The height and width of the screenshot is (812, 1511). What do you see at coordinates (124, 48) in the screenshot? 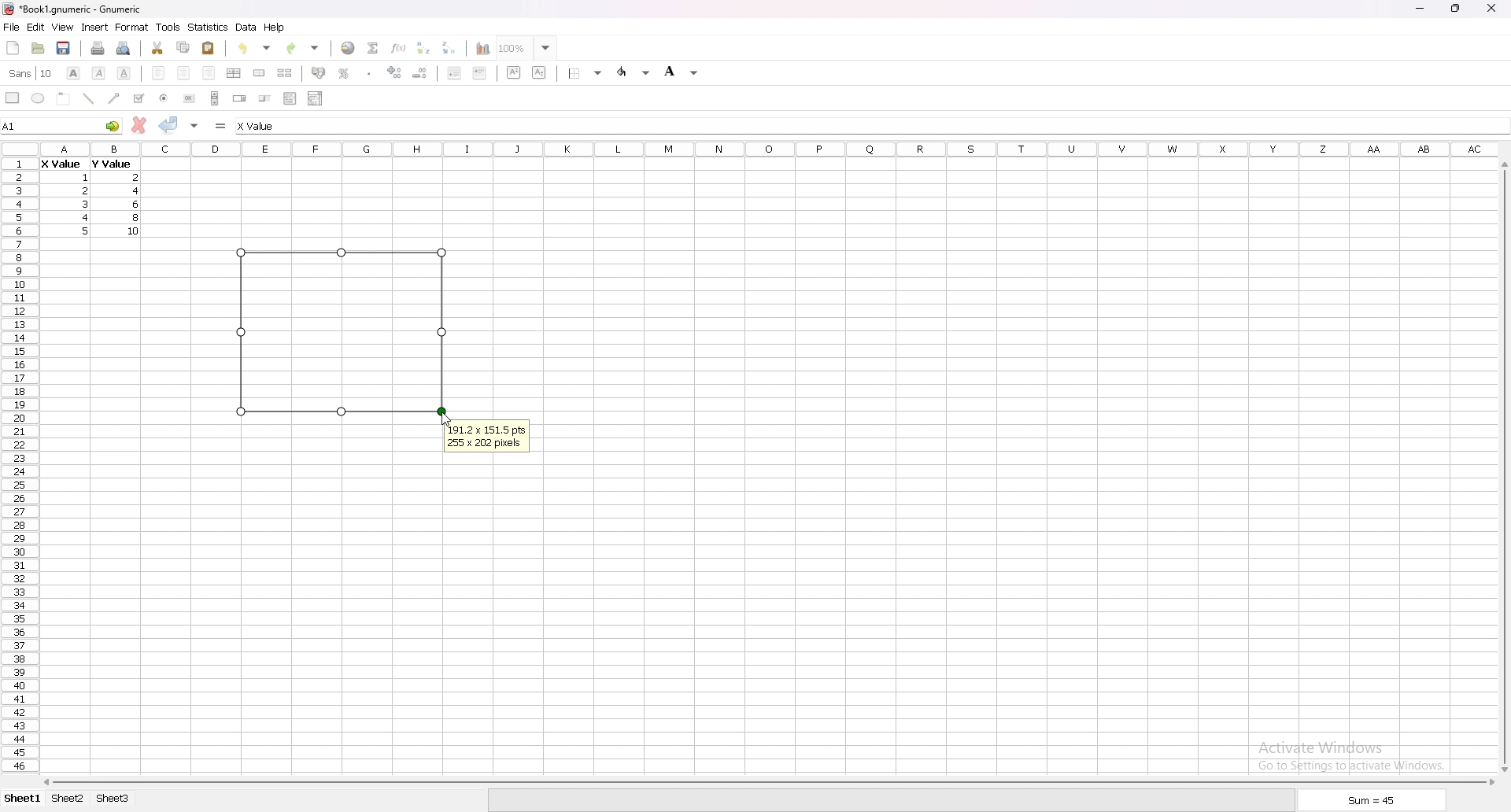
I see `print preview` at bounding box center [124, 48].